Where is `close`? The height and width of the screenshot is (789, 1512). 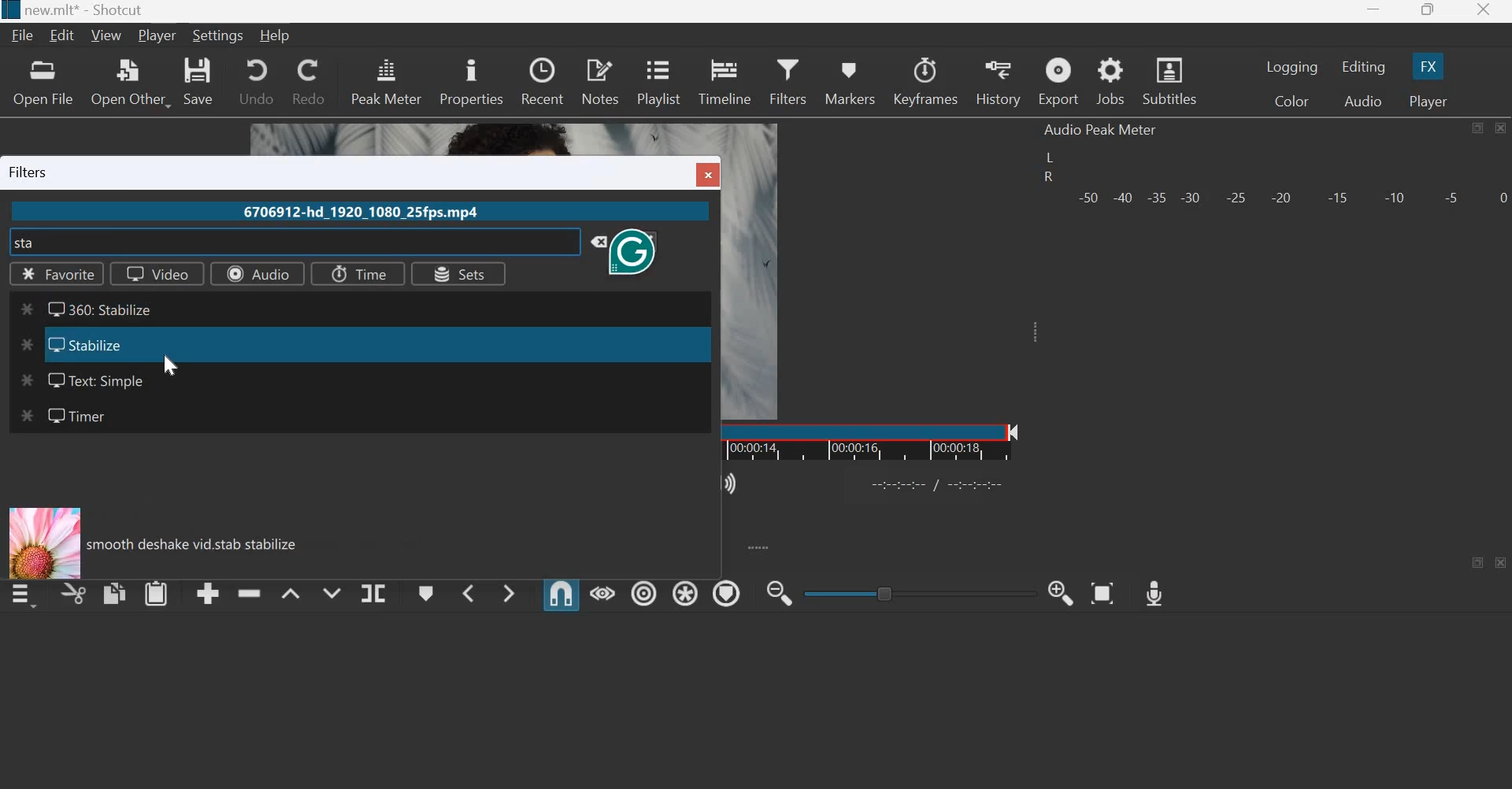
close is located at coordinates (706, 174).